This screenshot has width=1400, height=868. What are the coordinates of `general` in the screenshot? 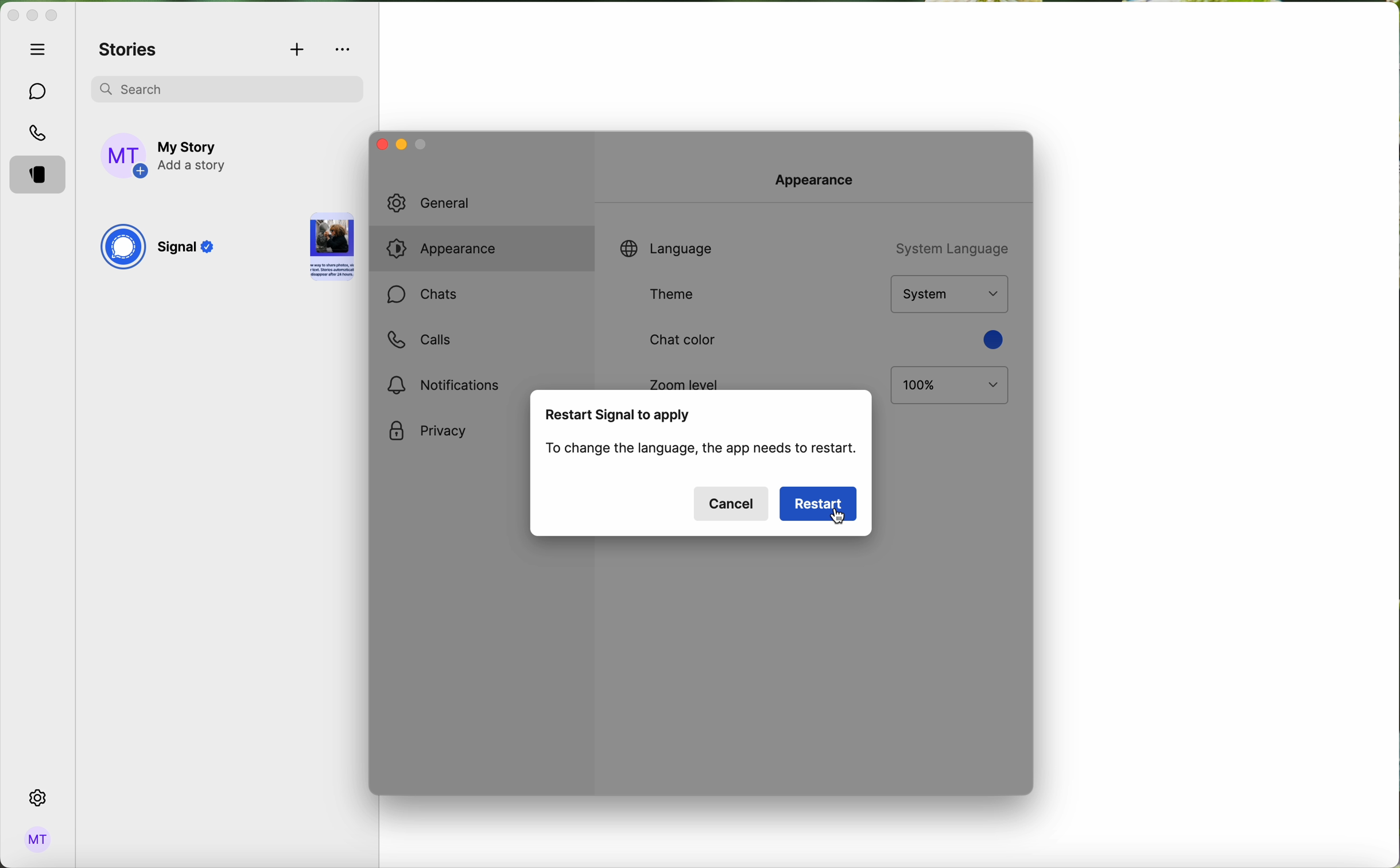 It's located at (443, 203).